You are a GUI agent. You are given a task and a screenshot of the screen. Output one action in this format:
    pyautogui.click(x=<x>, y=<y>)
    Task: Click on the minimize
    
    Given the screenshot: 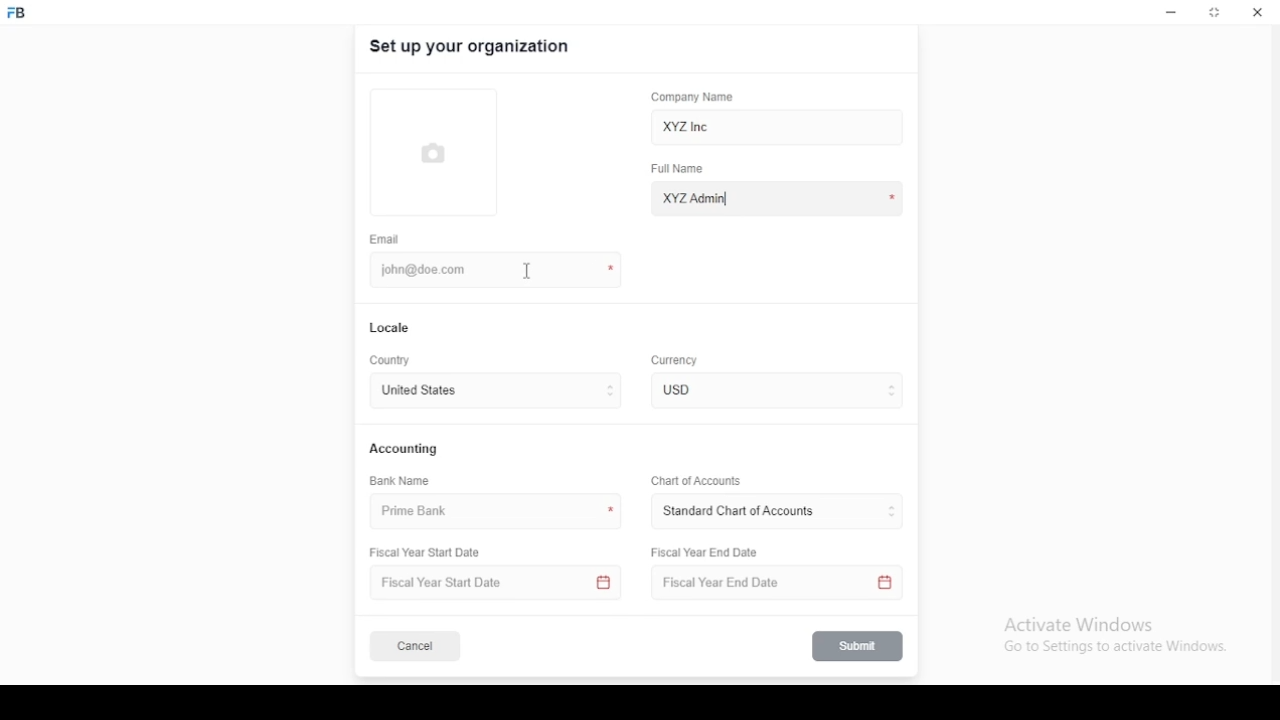 What is the action you would take?
    pyautogui.click(x=1171, y=13)
    